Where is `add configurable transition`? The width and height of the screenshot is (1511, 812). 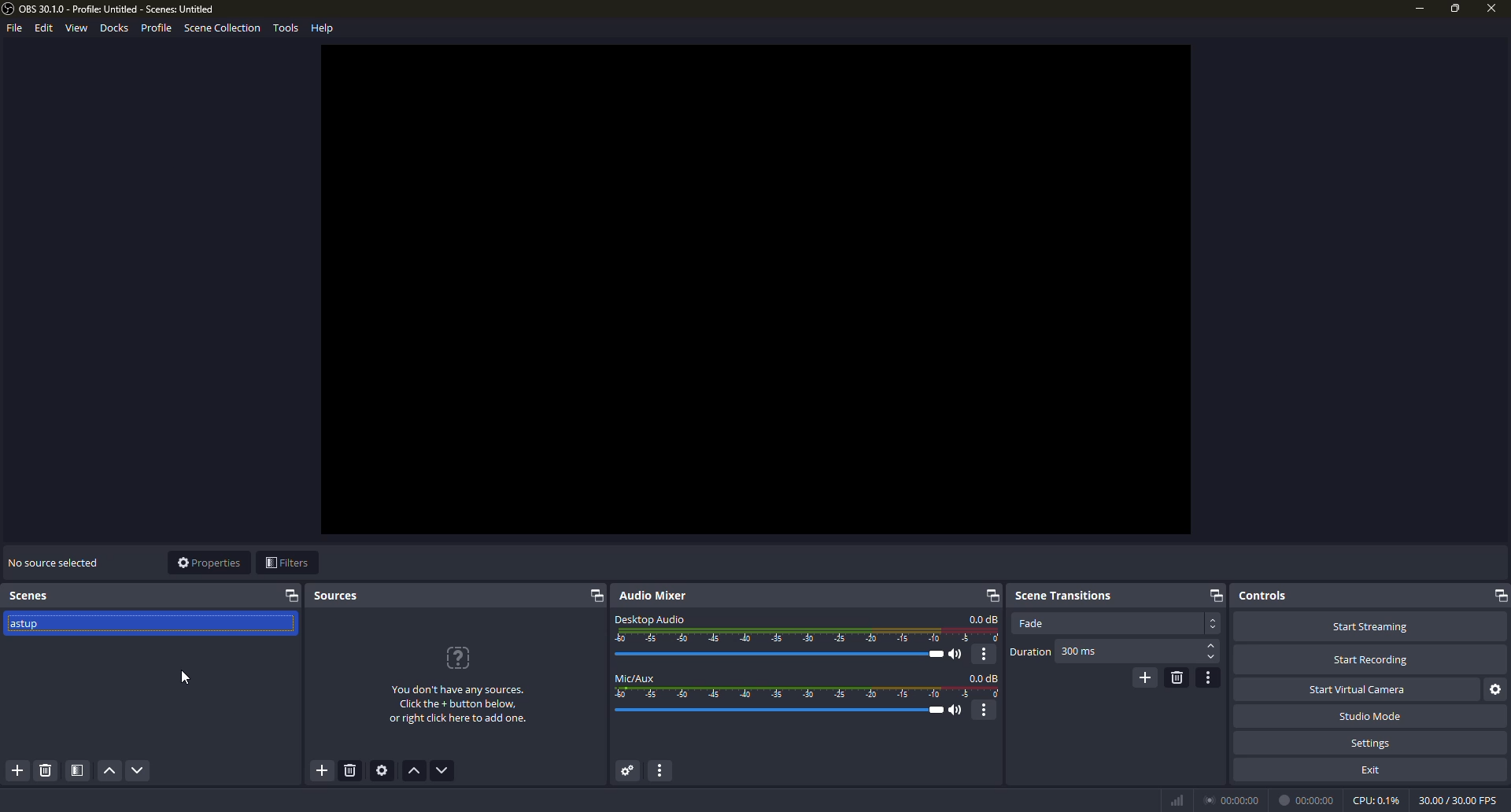 add configurable transition is located at coordinates (1143, 677).